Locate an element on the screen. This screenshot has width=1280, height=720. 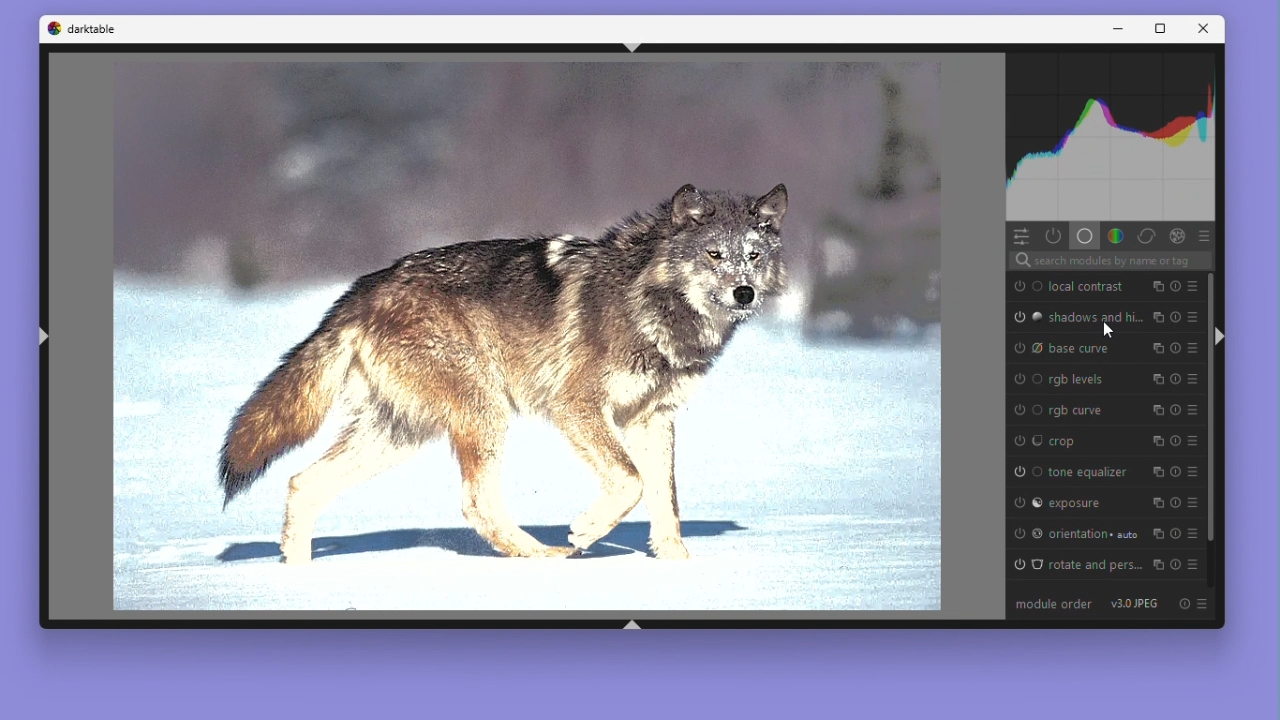
multiple instance actions is located at coordinates (1156, 380).